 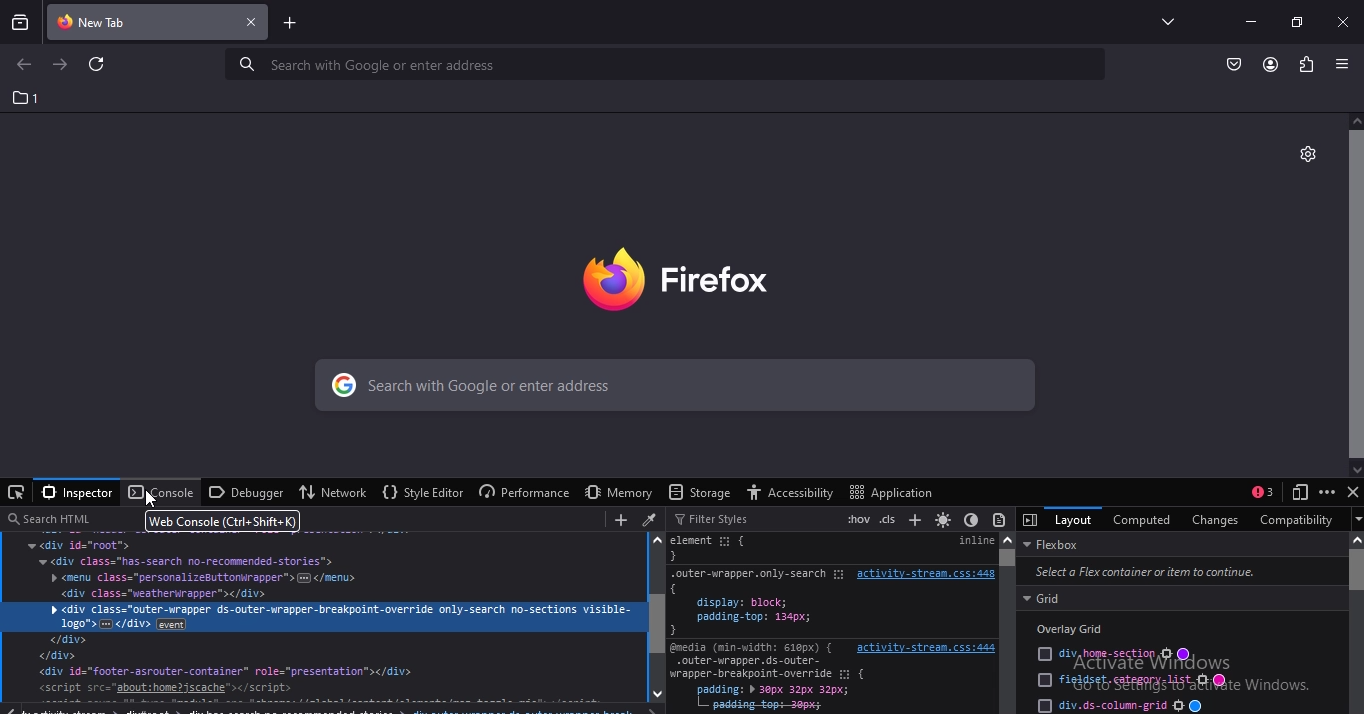 What do you see at coordinates (619, 491) in the screenshot?
I see `memory` at bounding box center [619, 491].